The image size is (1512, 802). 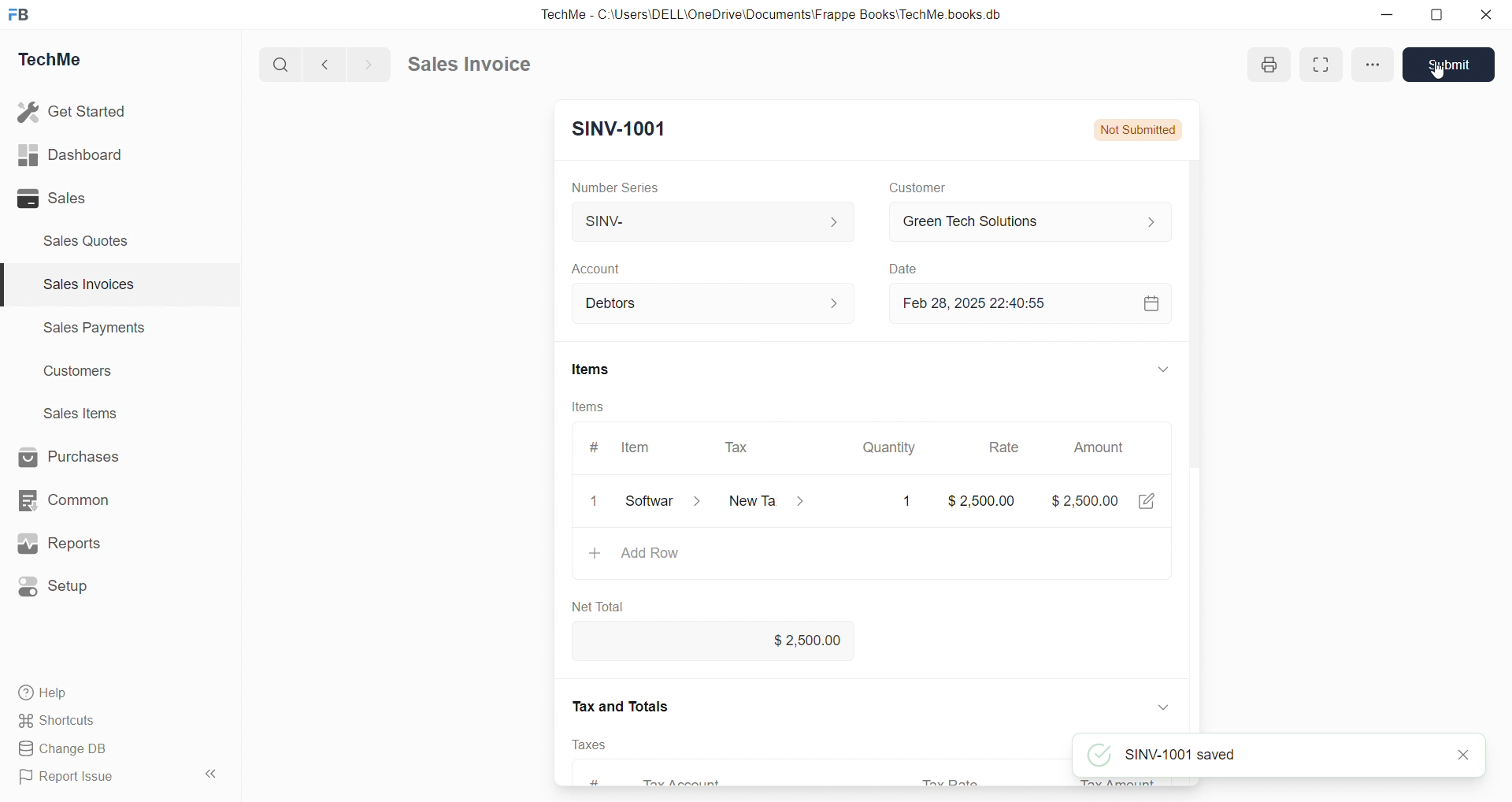 What do you see at coordinates (592, 369) in the screenshot?
I see `Items` at bounding box center [592, 369].